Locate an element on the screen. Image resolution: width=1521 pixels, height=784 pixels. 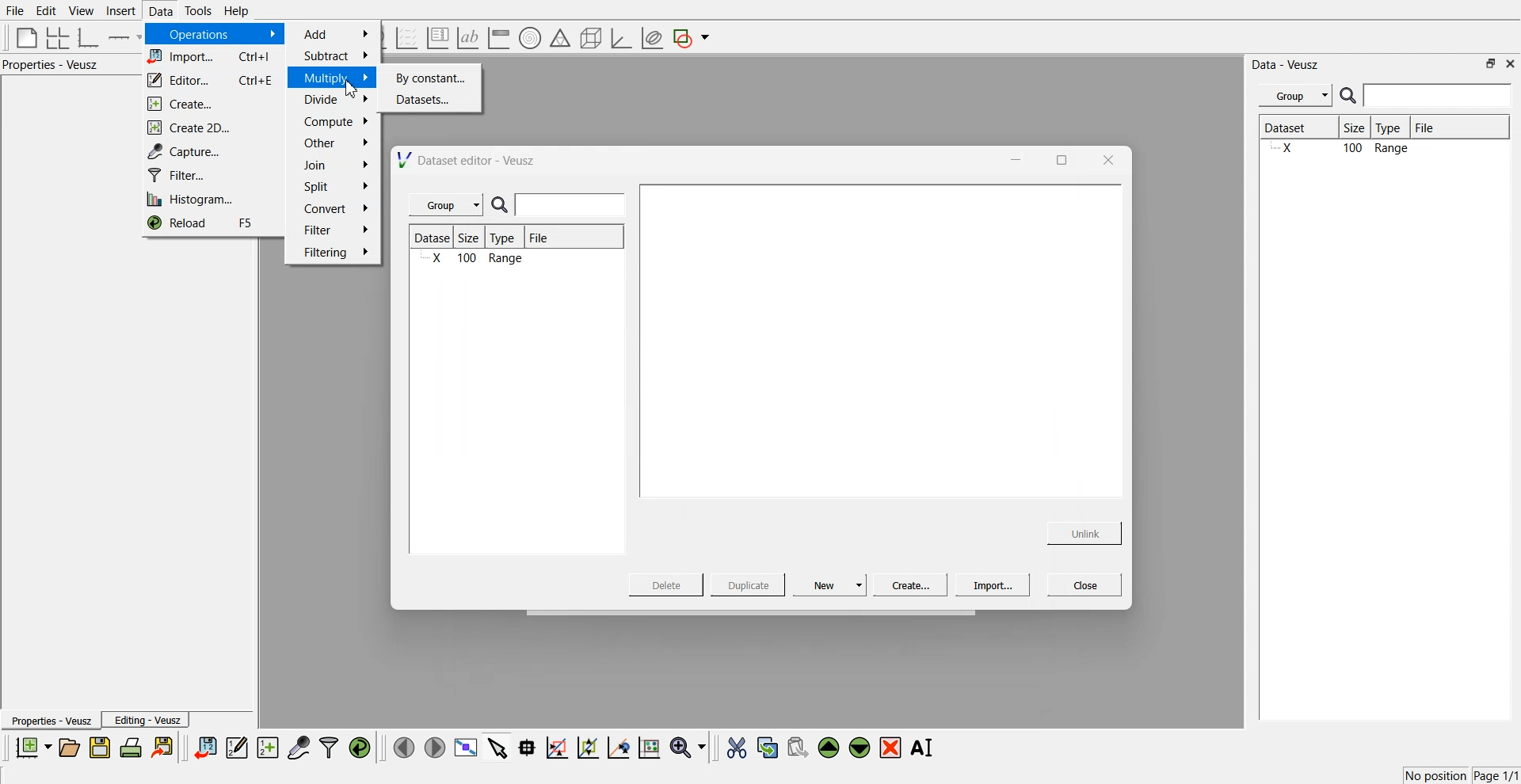
File is located at coordinates (16, 11).